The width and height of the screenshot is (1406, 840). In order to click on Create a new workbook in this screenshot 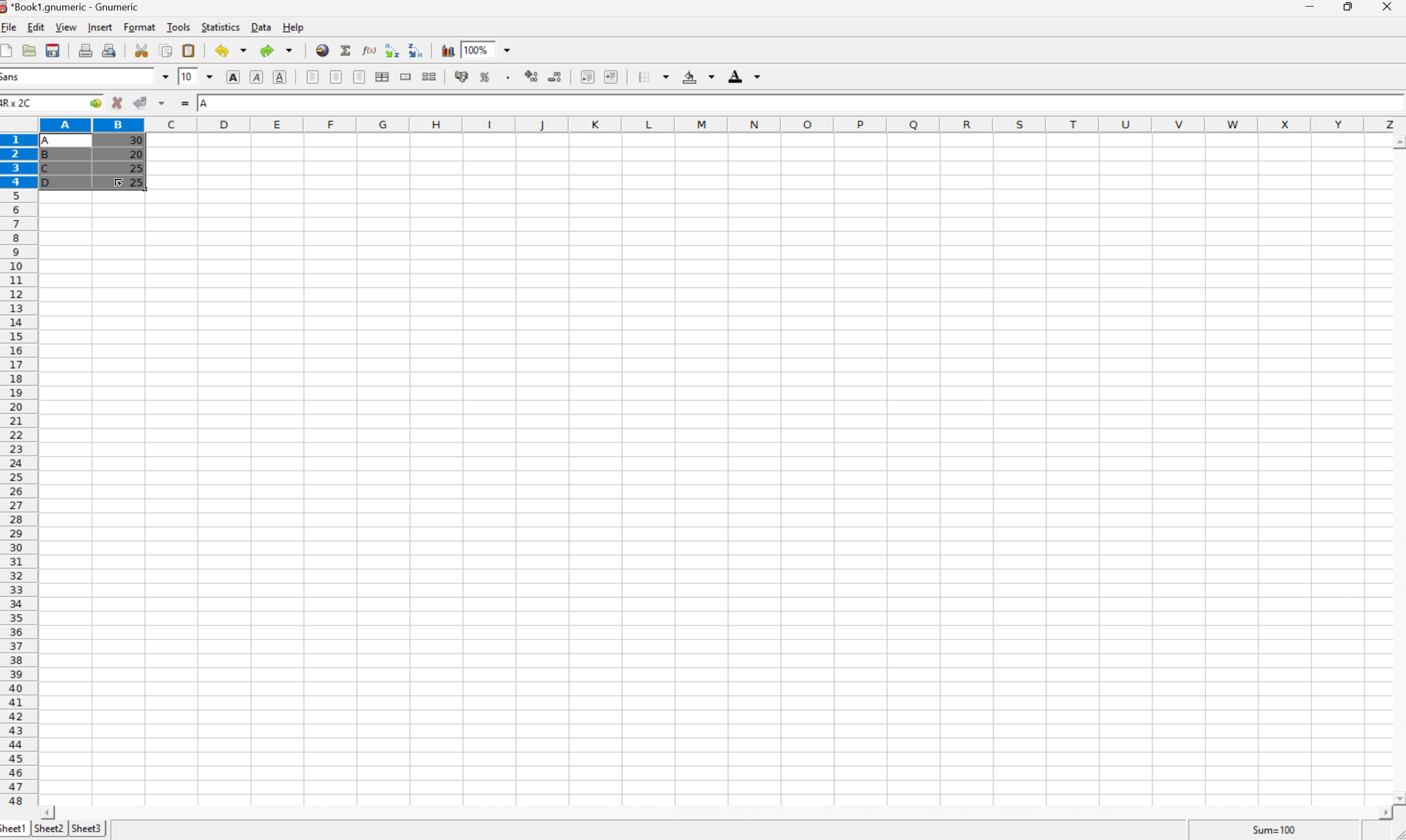, I will do `click(9, 50)`.